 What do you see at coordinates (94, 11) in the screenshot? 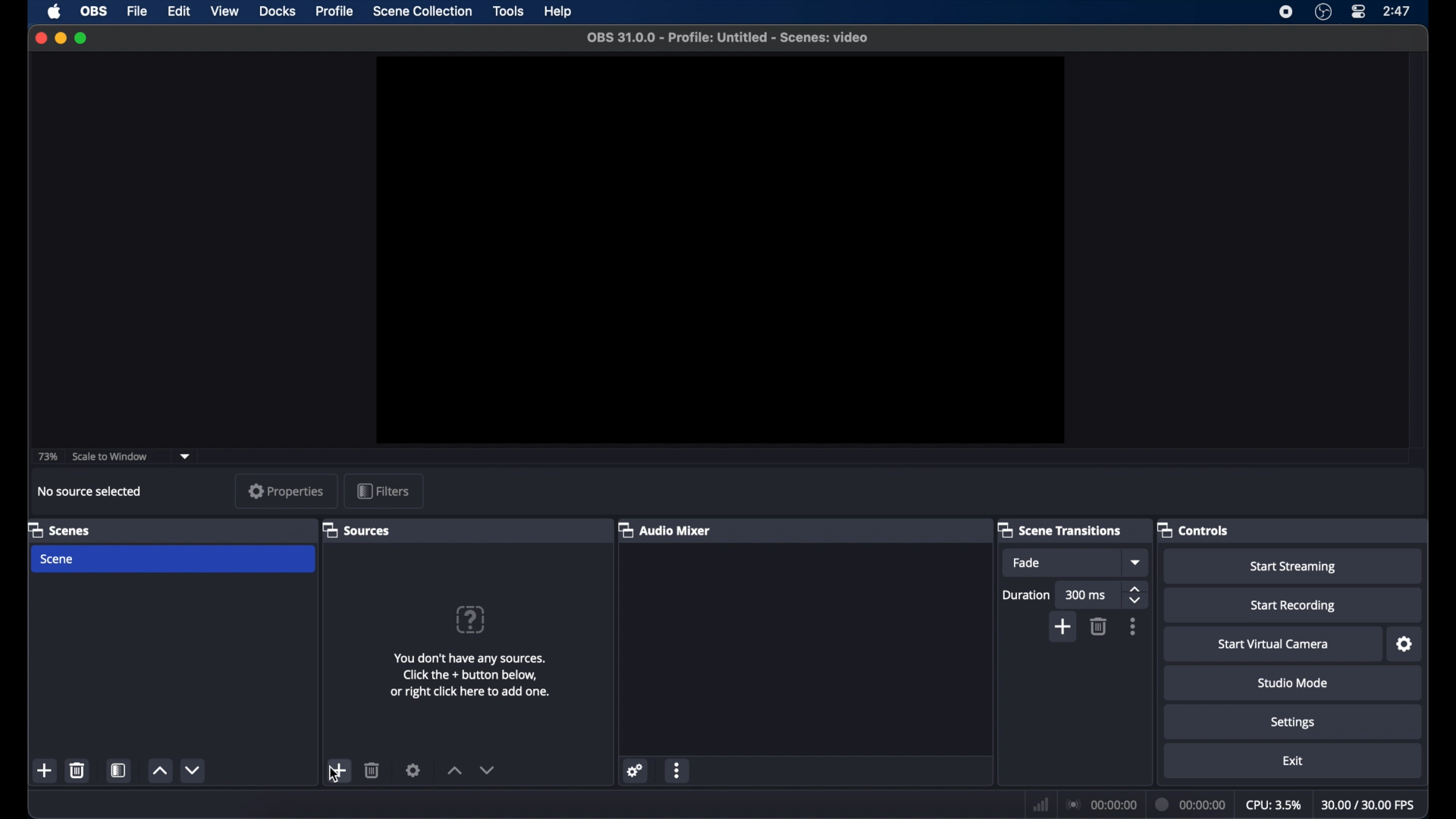
I see `obs` at bounding box center [94, 11].